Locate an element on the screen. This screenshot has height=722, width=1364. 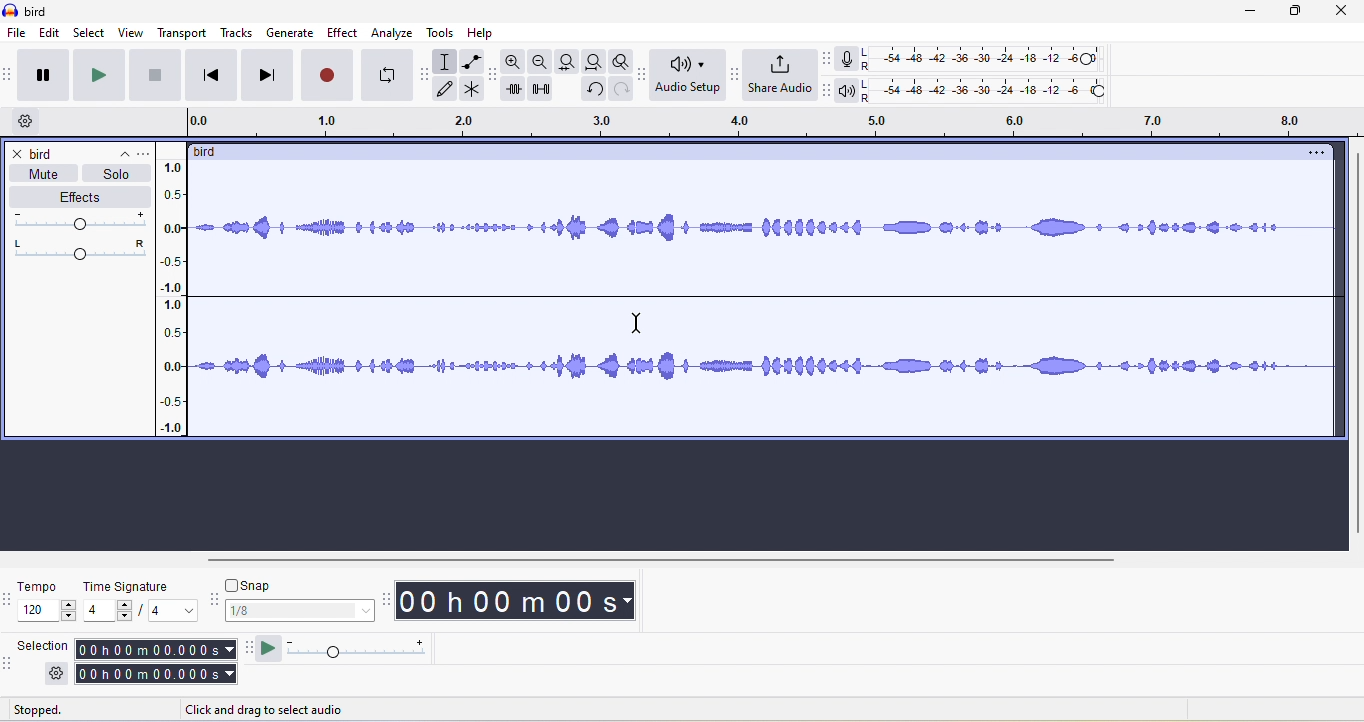
play is located at coordinates (103, 76).